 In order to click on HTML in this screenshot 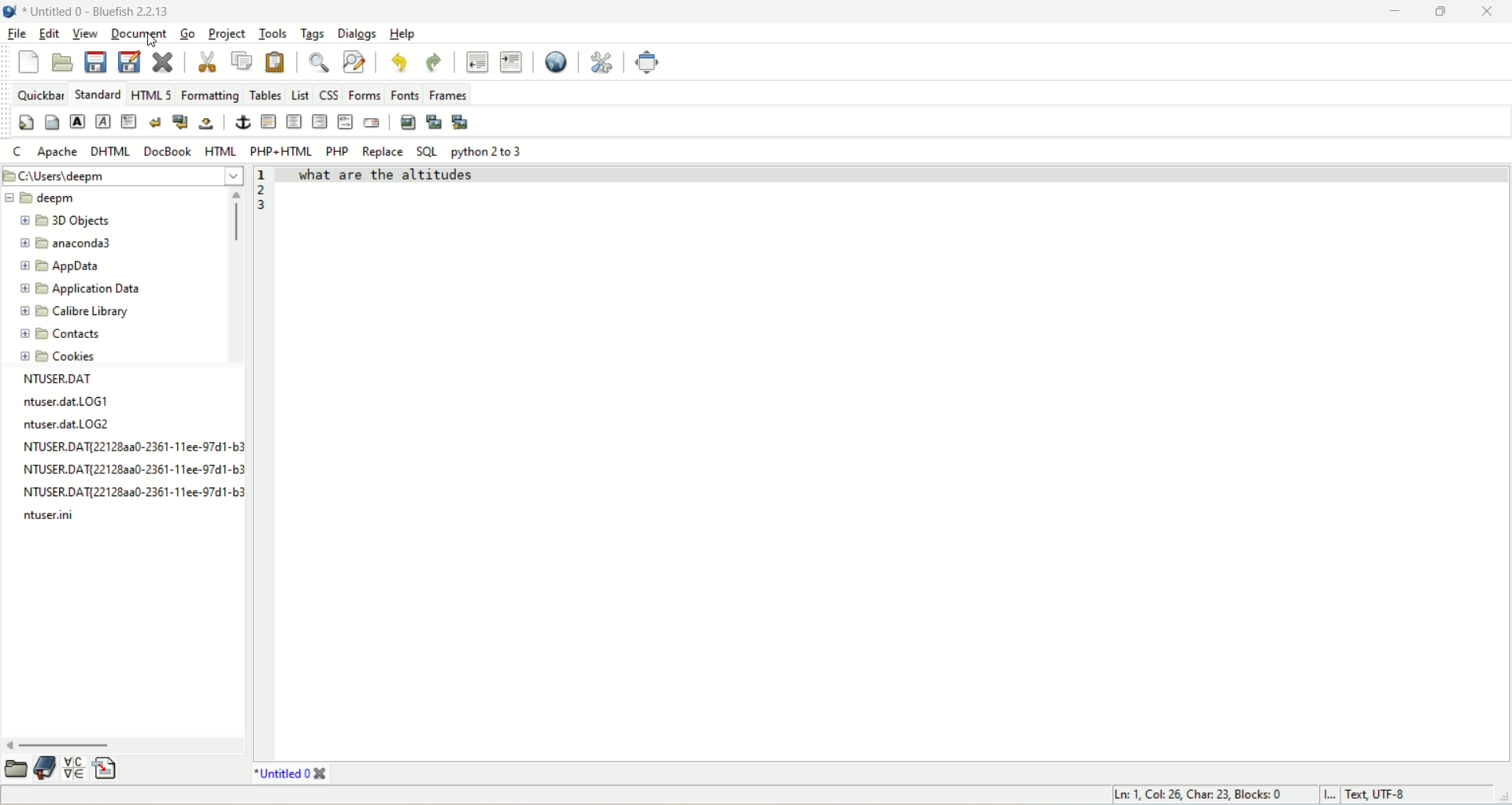, I will do `click(220, 152)`.